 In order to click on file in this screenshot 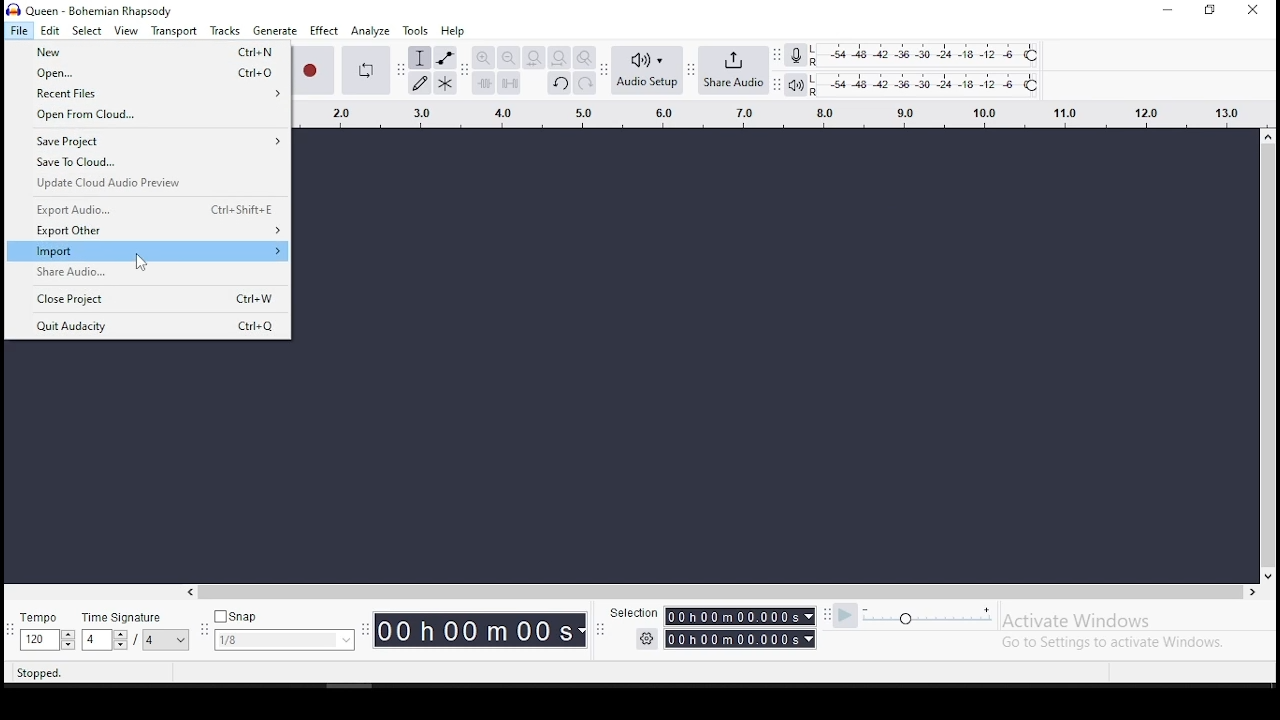, I will do `click(19, 30)`.